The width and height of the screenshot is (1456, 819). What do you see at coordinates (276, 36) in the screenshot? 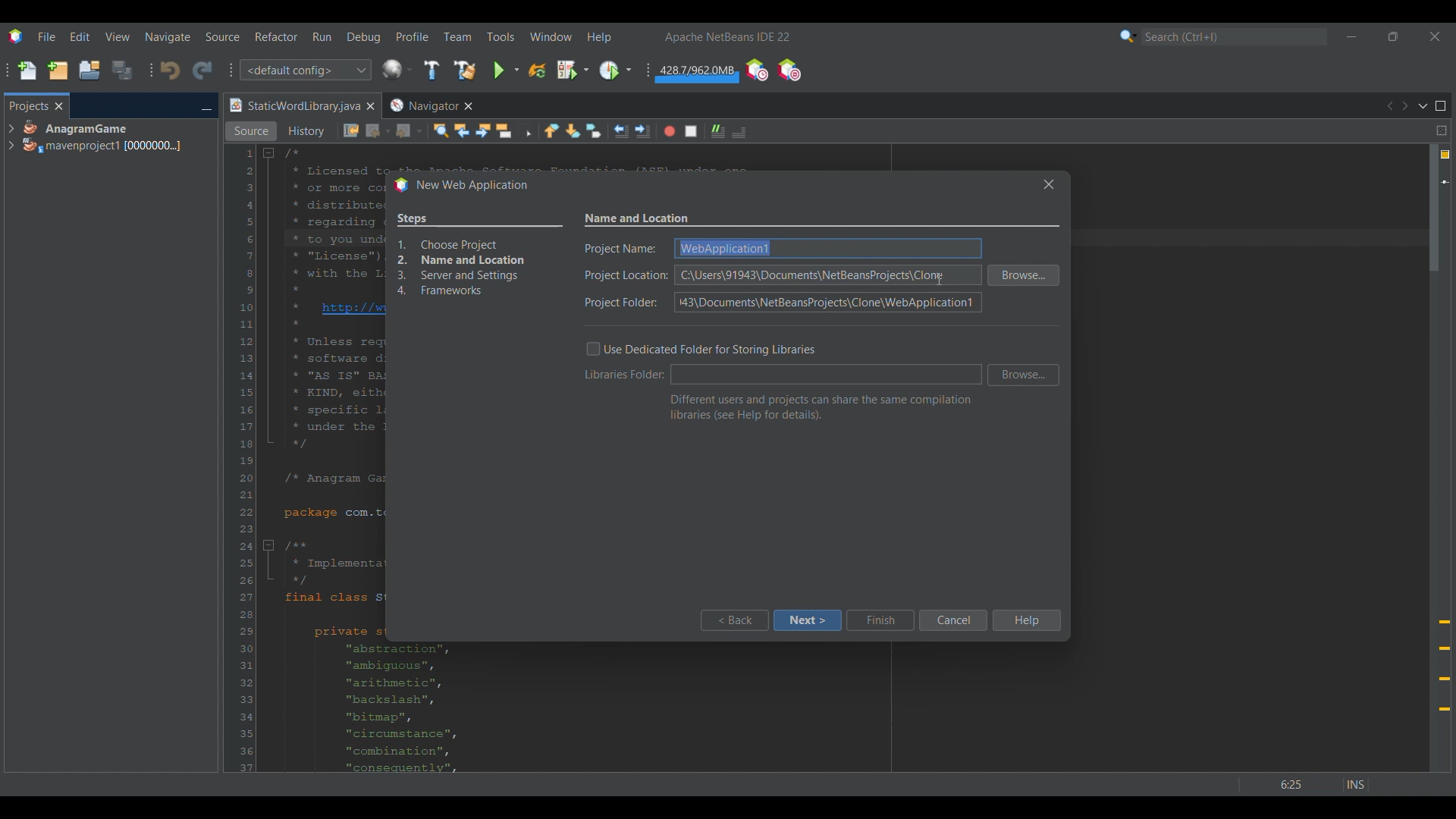
I see `Refactor menu` at bounding box center [276, 36].